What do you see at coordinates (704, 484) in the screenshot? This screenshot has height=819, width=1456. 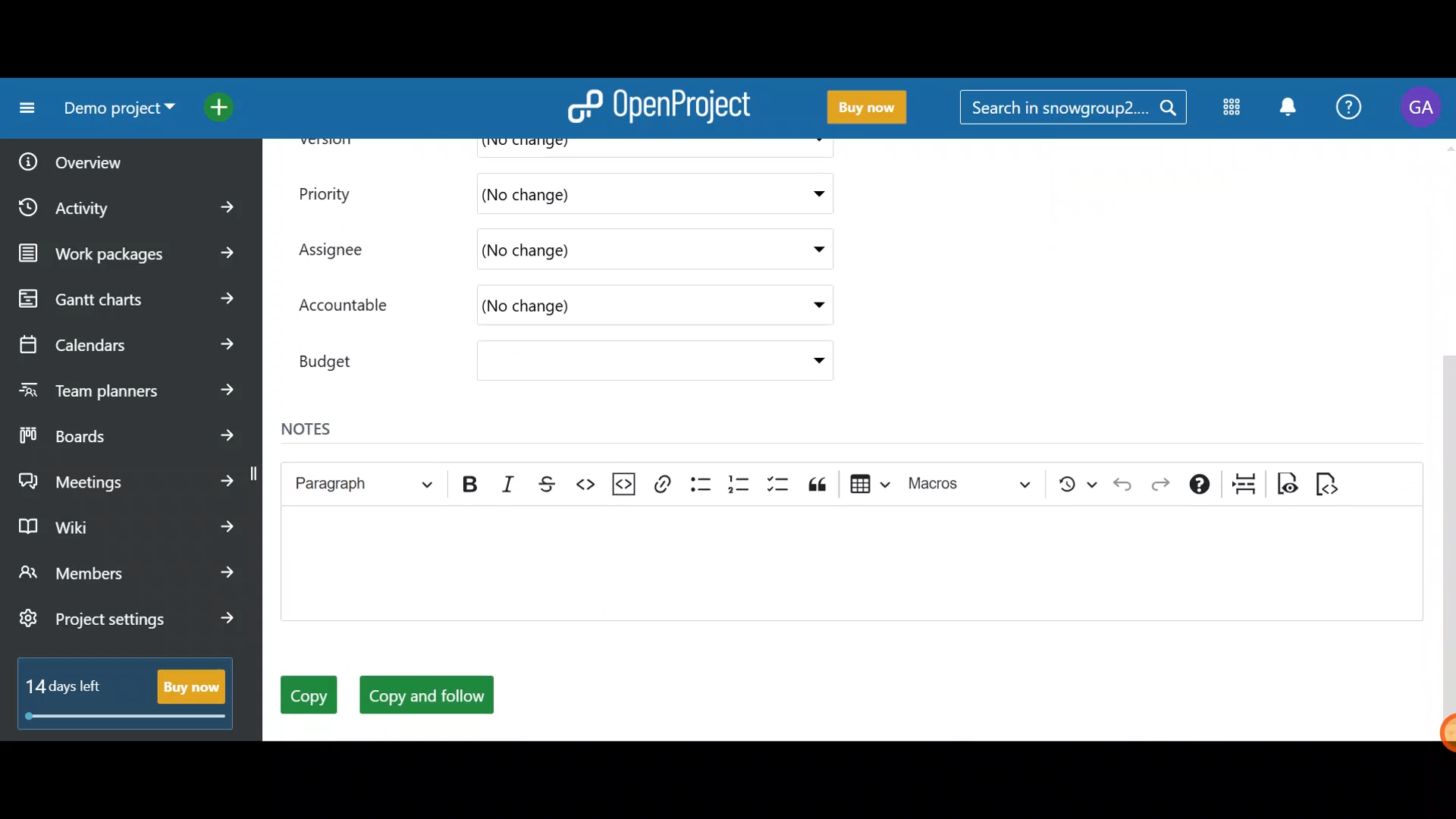 I see `Bulleted list` at bounding box center [704, 484].